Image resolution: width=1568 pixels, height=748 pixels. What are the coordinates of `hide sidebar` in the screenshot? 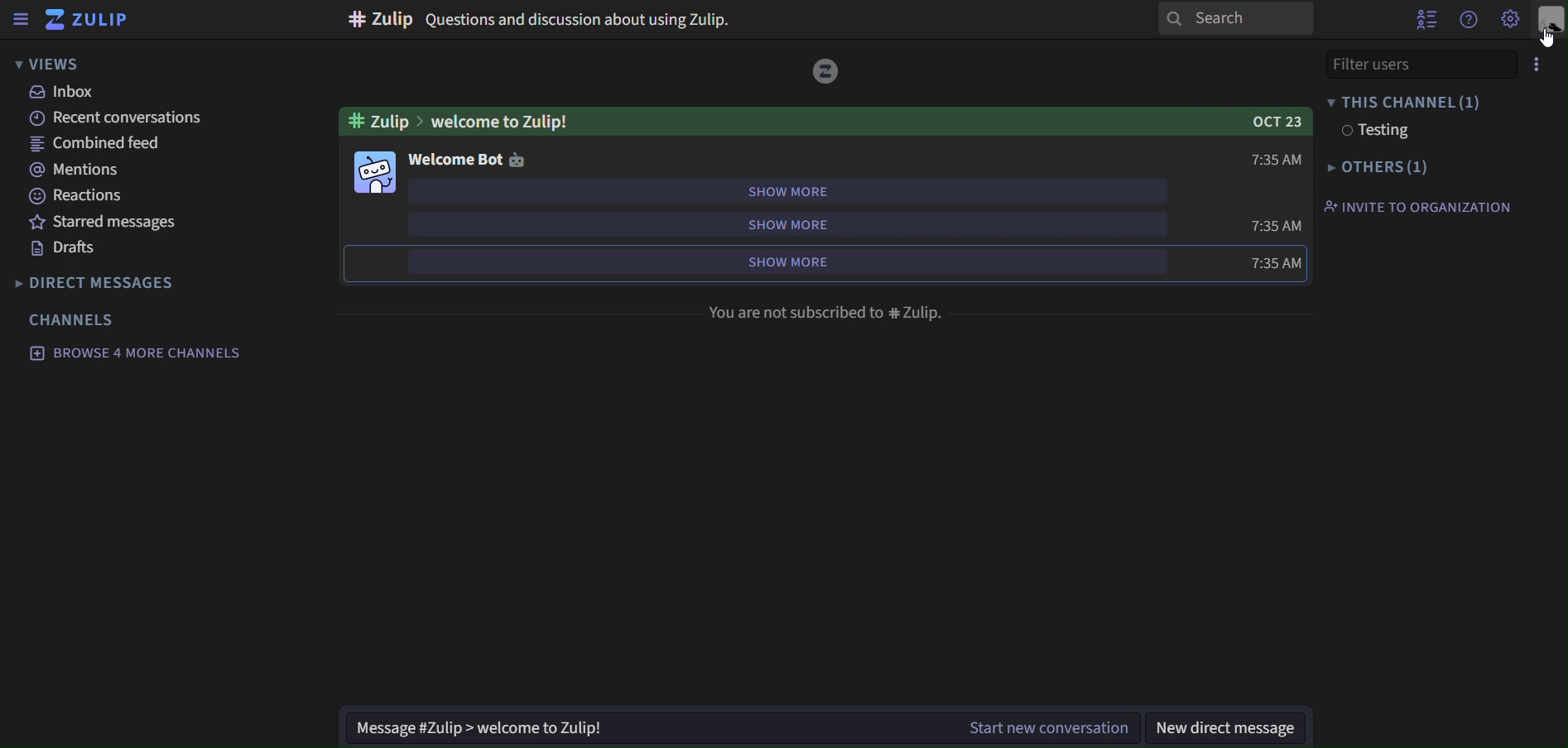 It's located at (23, 19).